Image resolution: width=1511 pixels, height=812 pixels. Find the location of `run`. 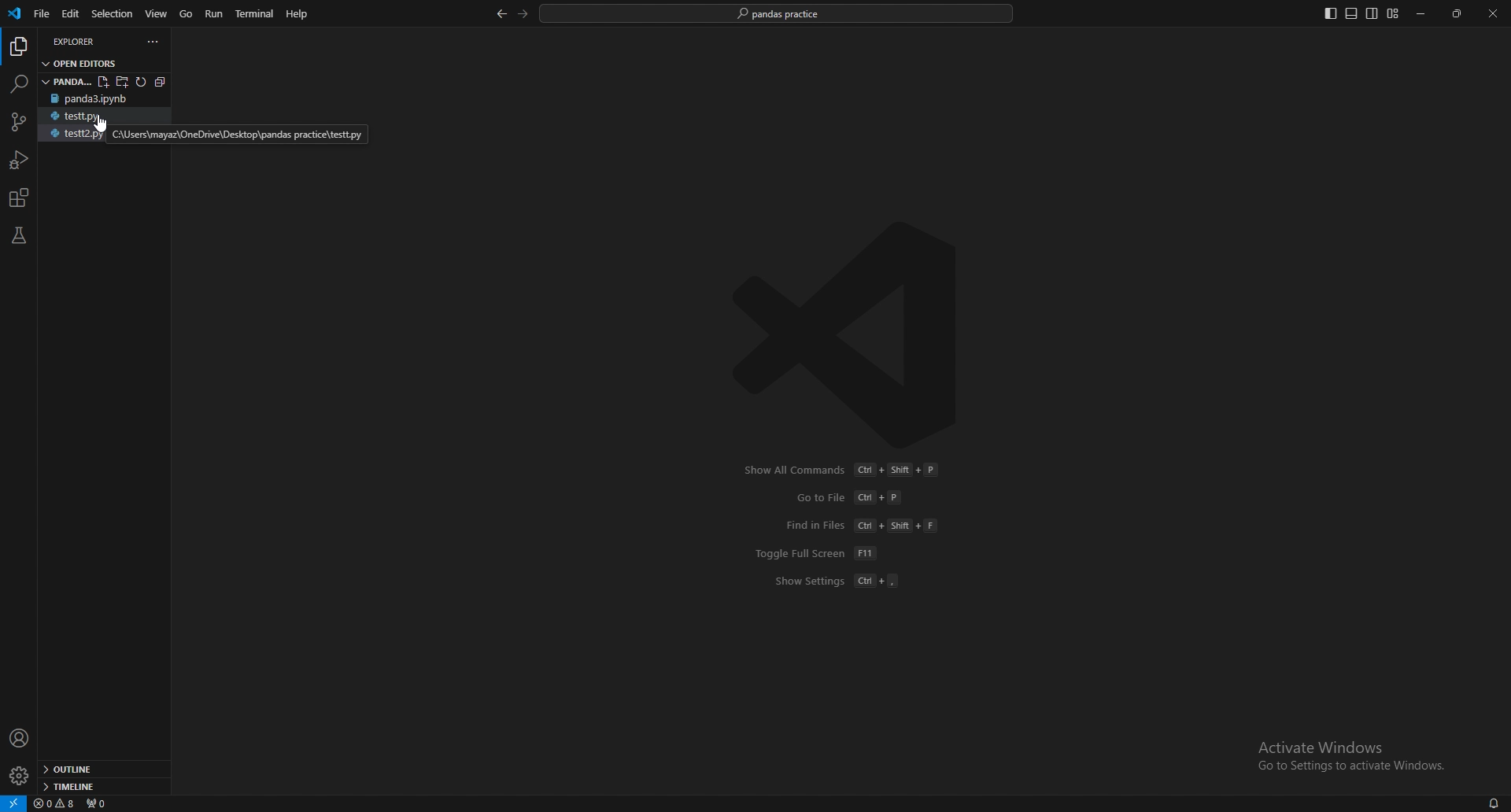

run is located at coordinates (216, 14).